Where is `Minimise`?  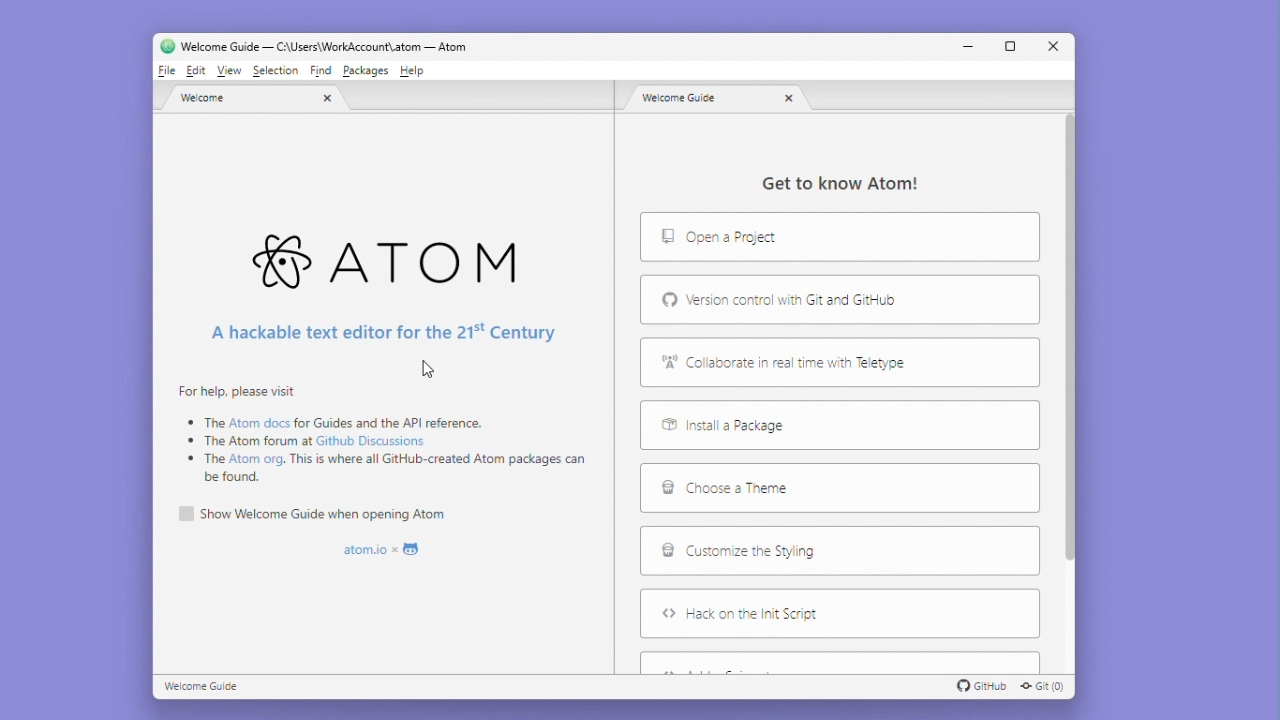
Minimise is located at coordinates (970, 46).